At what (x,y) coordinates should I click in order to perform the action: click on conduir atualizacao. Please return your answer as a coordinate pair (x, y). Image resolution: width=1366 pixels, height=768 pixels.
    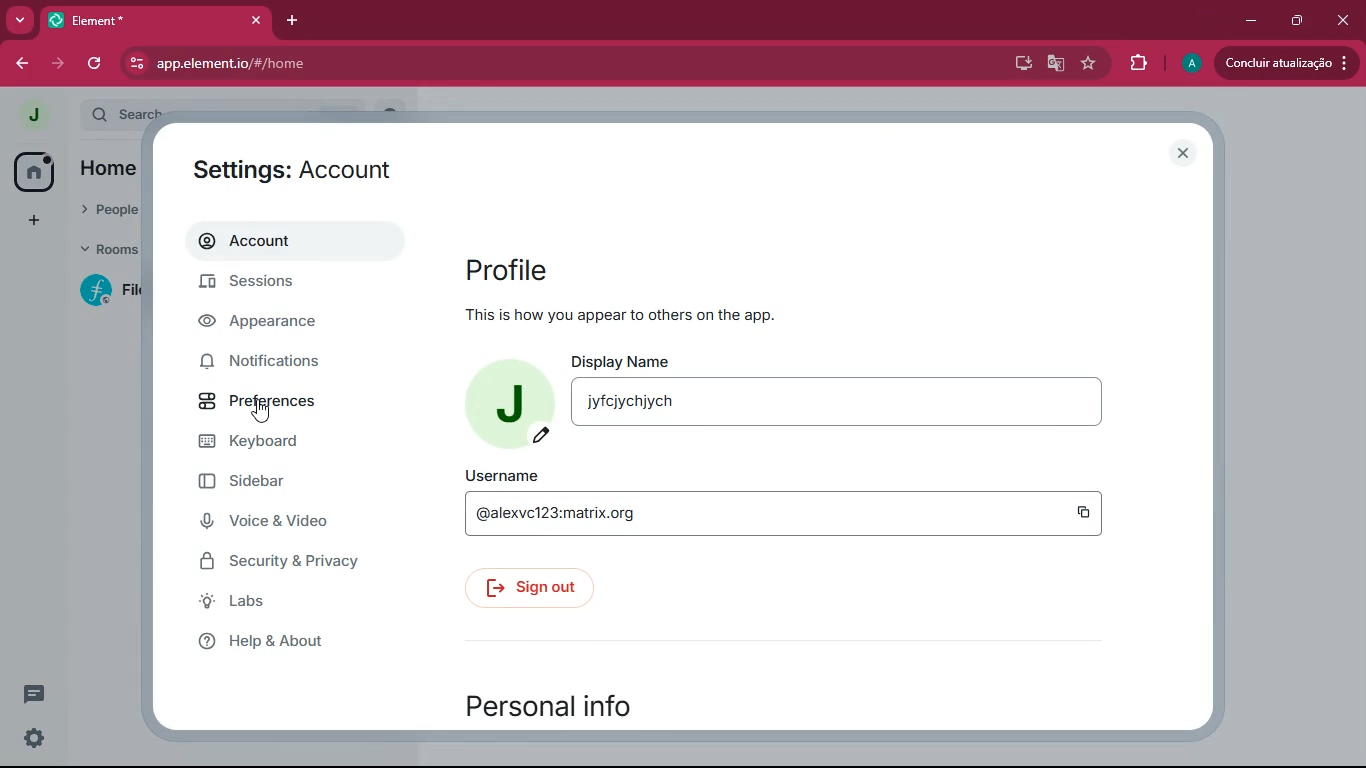
    Looking at the image, I should click on (1287, 63).